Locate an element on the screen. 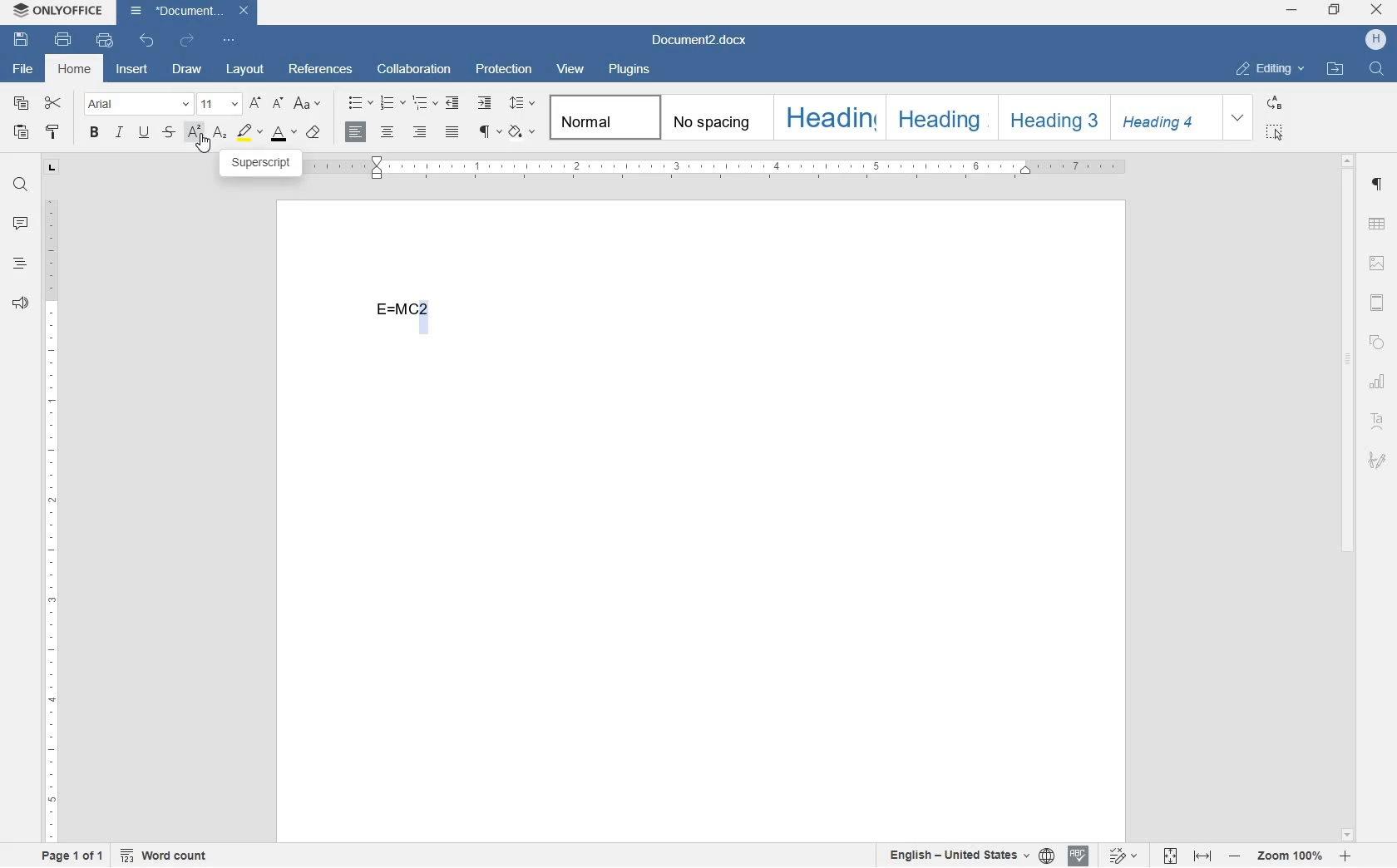 Image resolution: width=1397 pixels, height=868 pixels. table is located at coordinates (1378, 224).